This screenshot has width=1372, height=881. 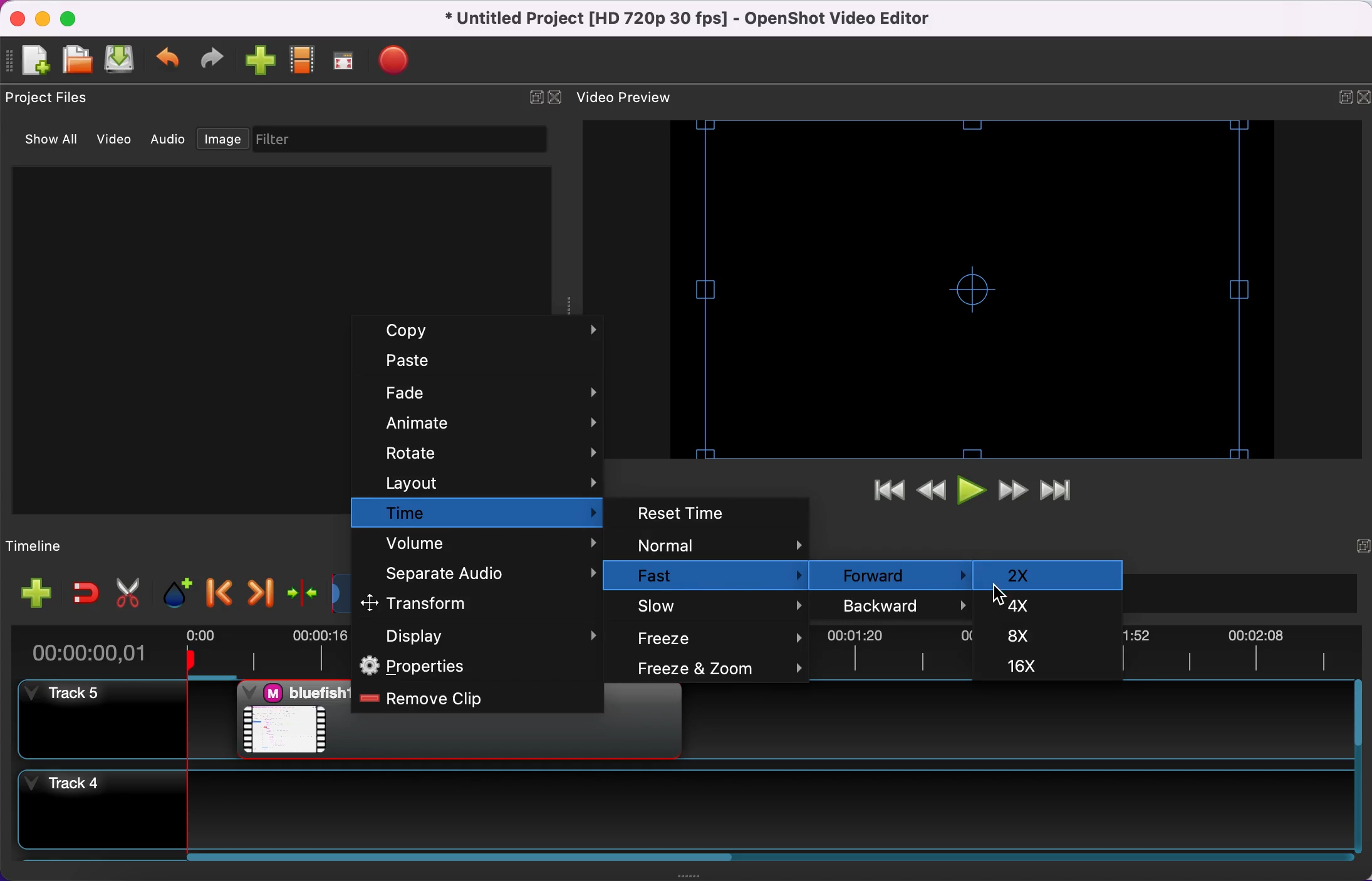 I want to click on 4x, so click(x=1047, y=605).